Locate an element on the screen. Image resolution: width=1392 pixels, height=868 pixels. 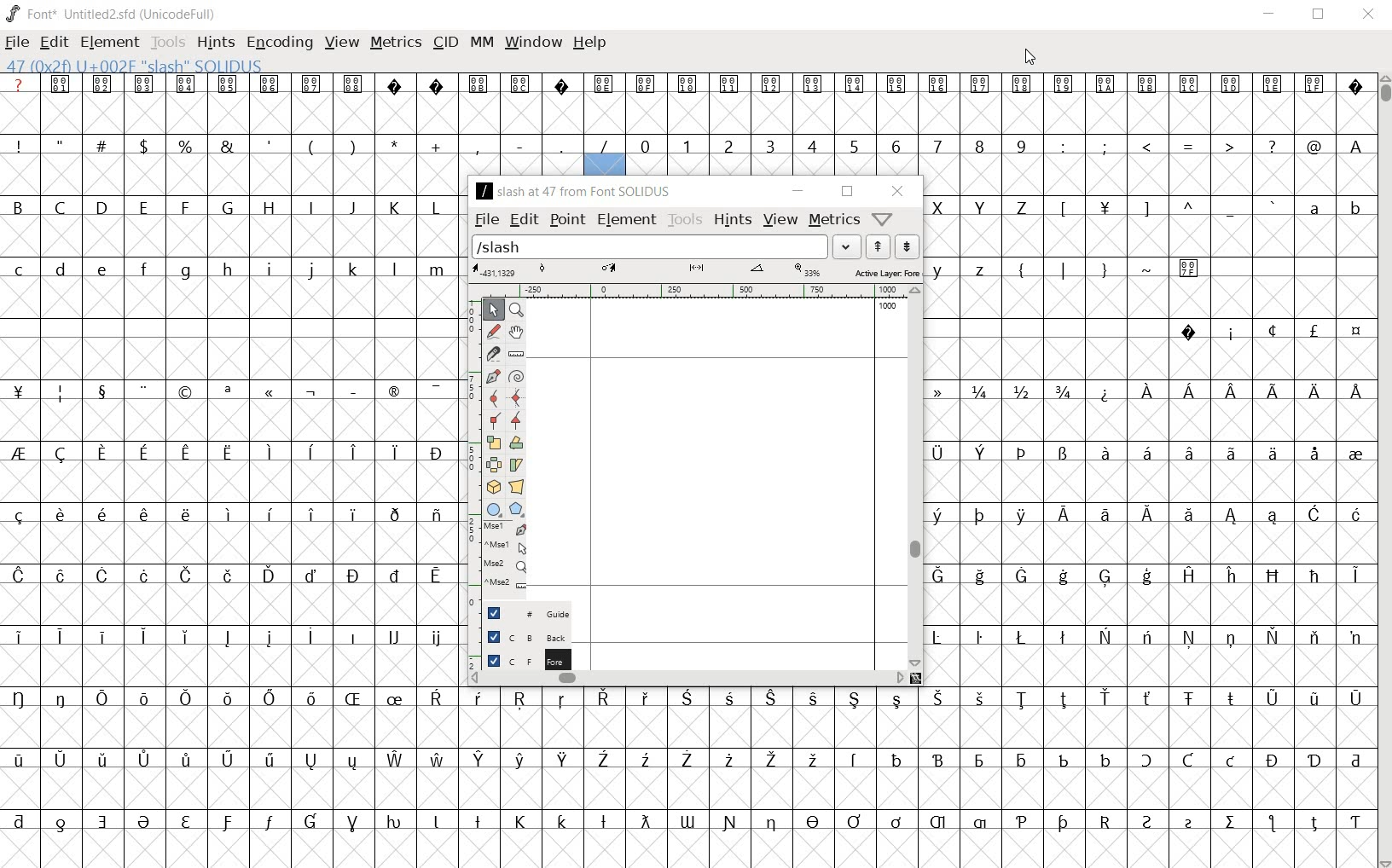
EDIT is located at coordinates (55, 43).